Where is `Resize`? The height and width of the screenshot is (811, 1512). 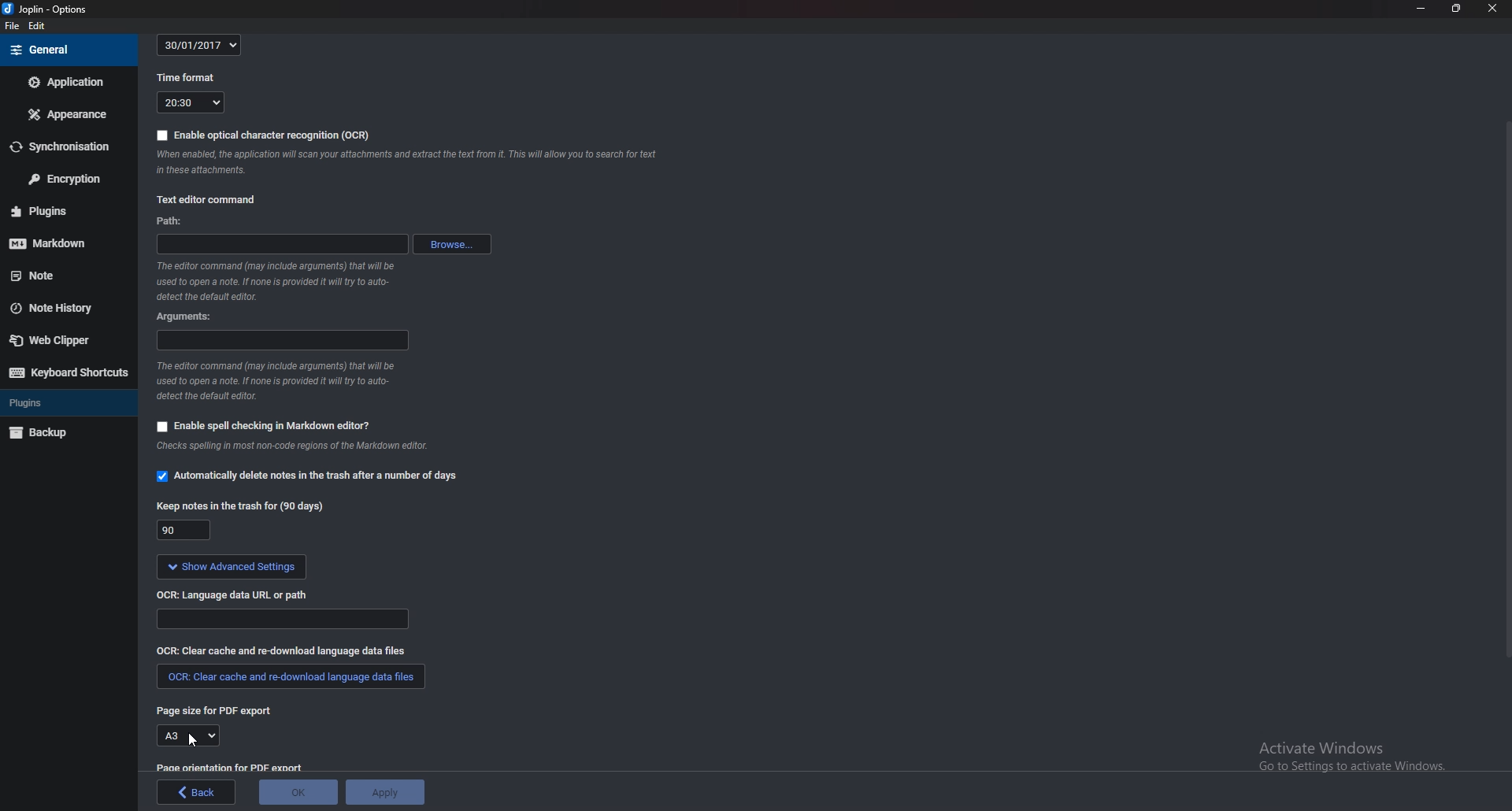 Resize is located at coordinates (1457, 8).